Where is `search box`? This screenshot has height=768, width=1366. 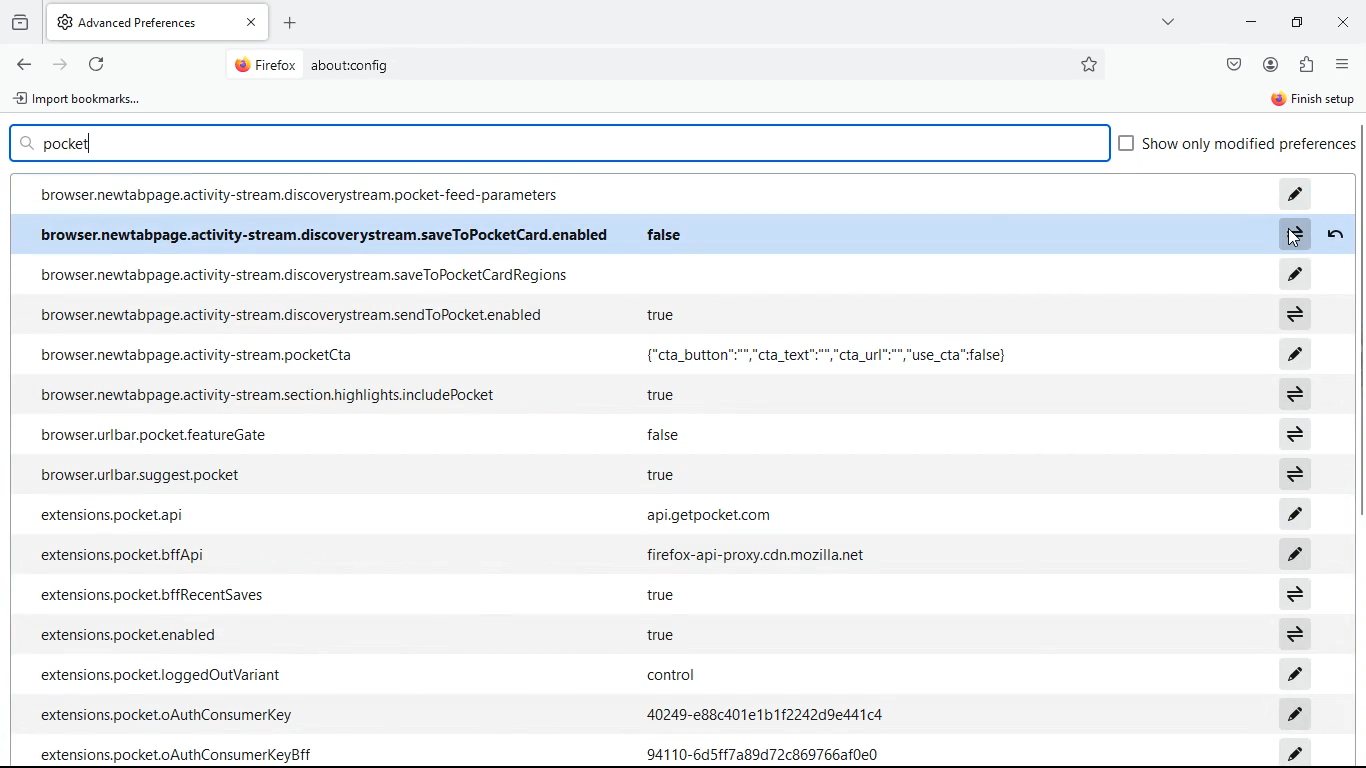 search box is located at coordinates (560, 142).